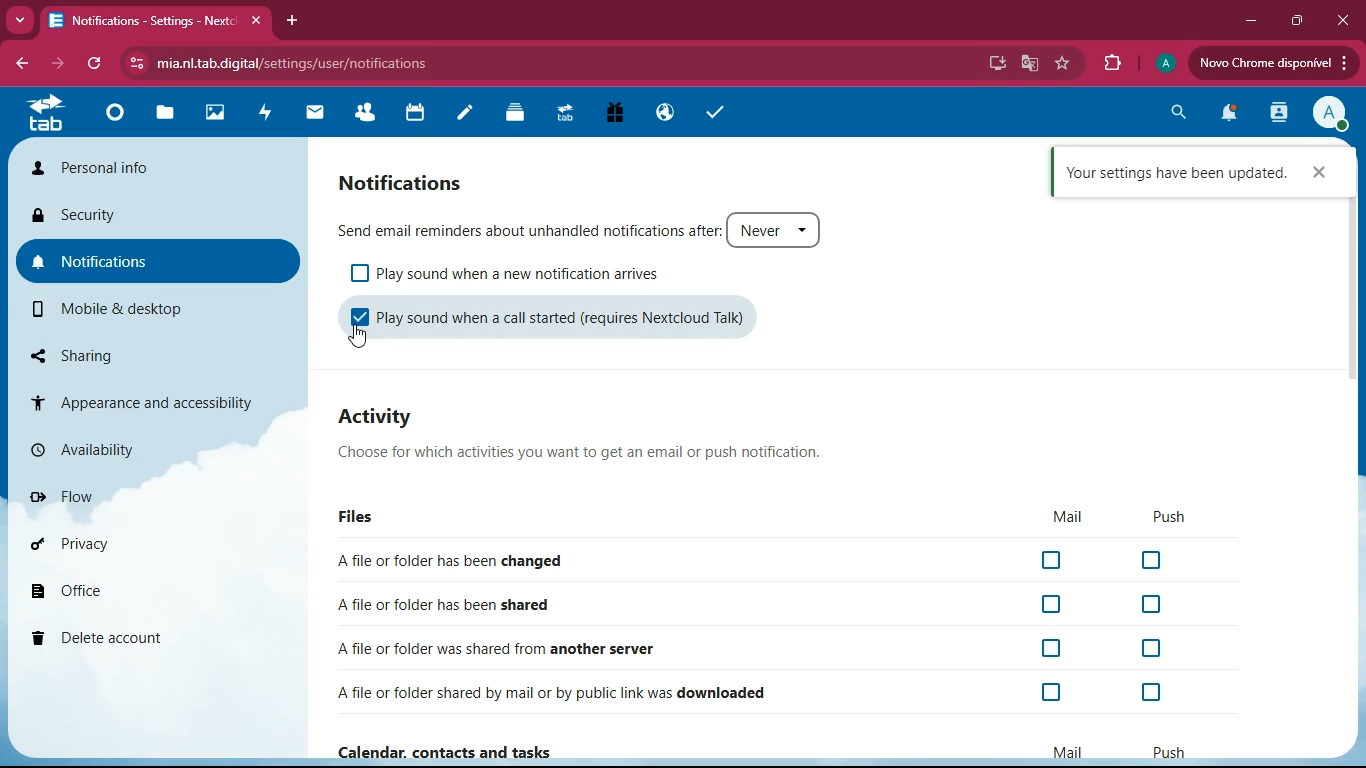 The image size is (1366, 768). I want to click on layers, so click(518, 115).